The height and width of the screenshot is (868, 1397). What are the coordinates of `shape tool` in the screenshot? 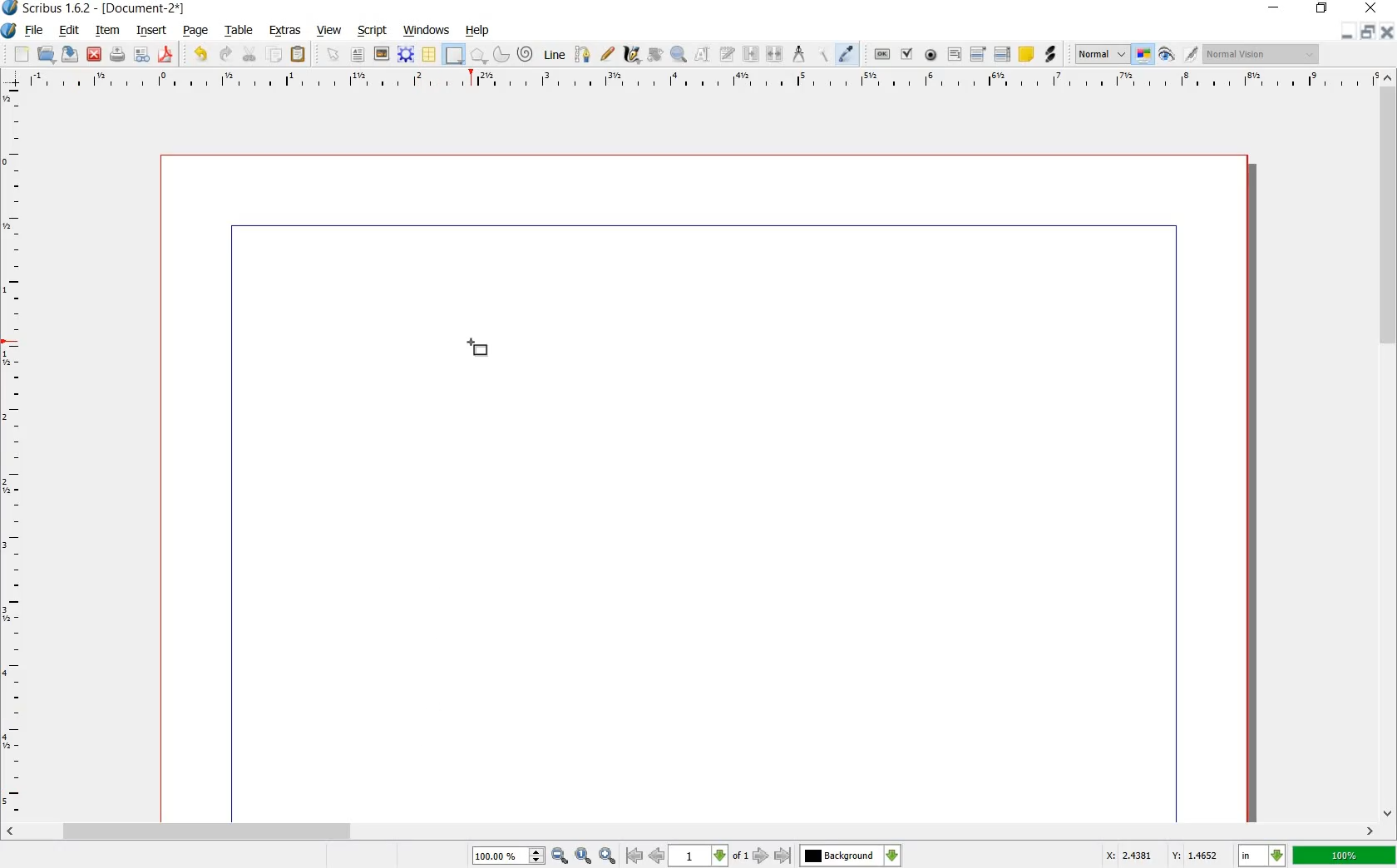 It's located at (481, 350).